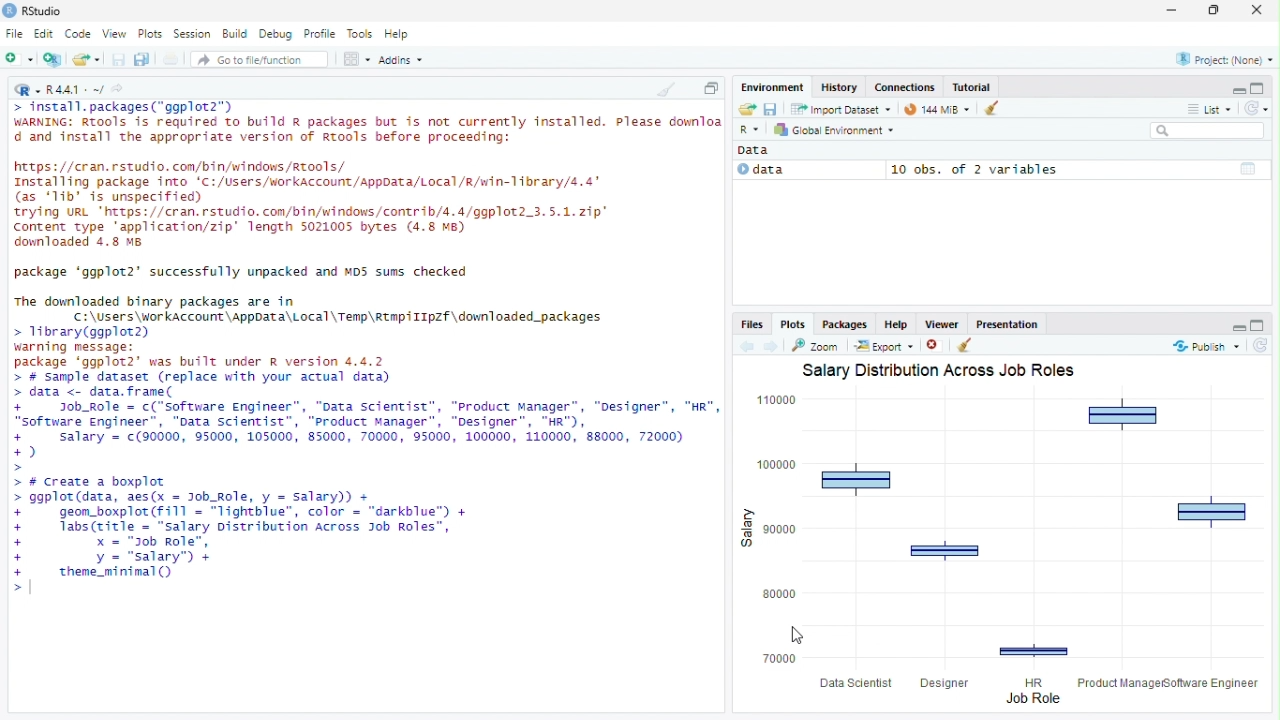  I want to click on Create  a project, so click(54, 59).